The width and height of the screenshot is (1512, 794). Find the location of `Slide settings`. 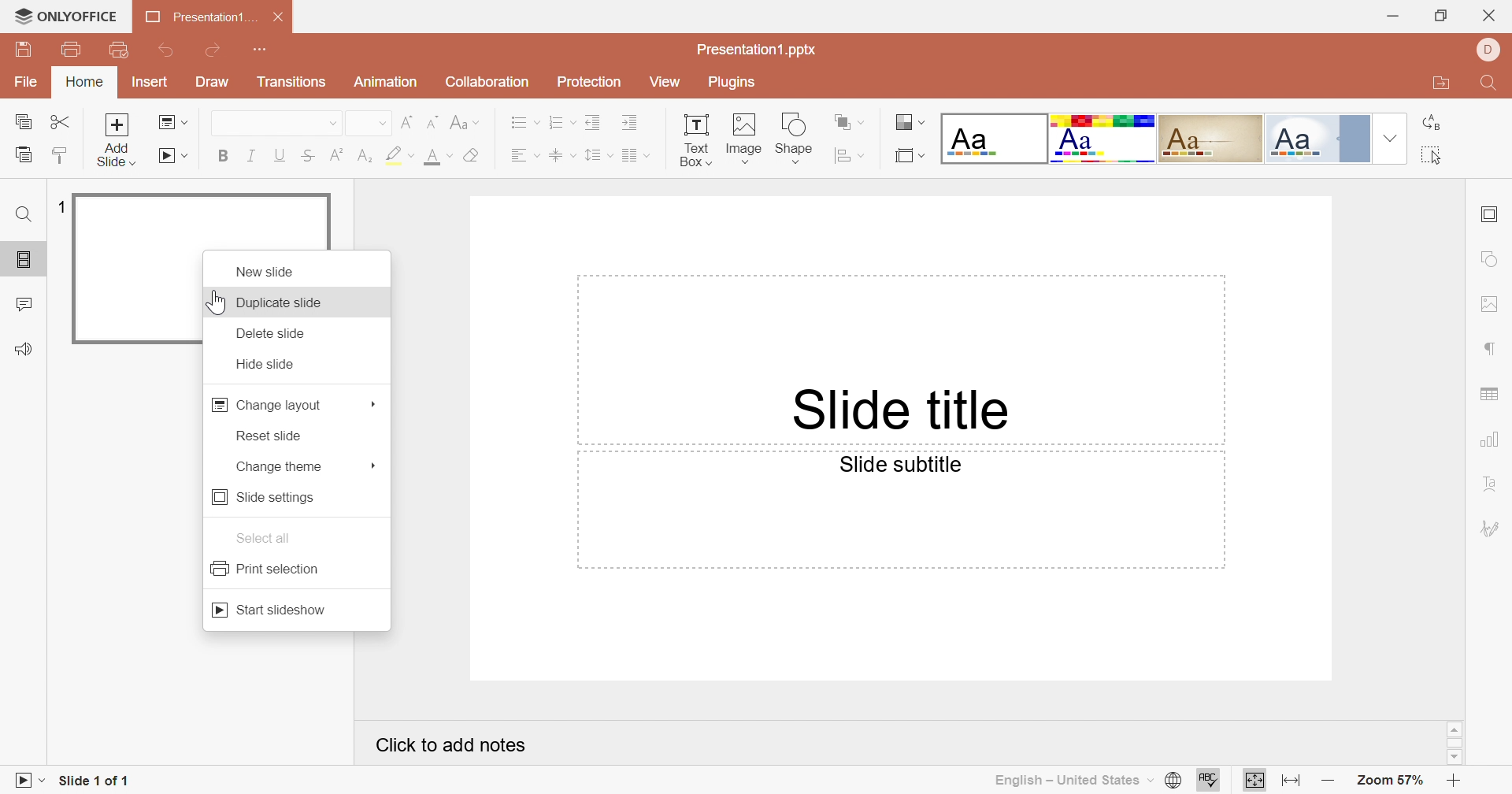

Slide settings is located at coordinates (1489, 214).